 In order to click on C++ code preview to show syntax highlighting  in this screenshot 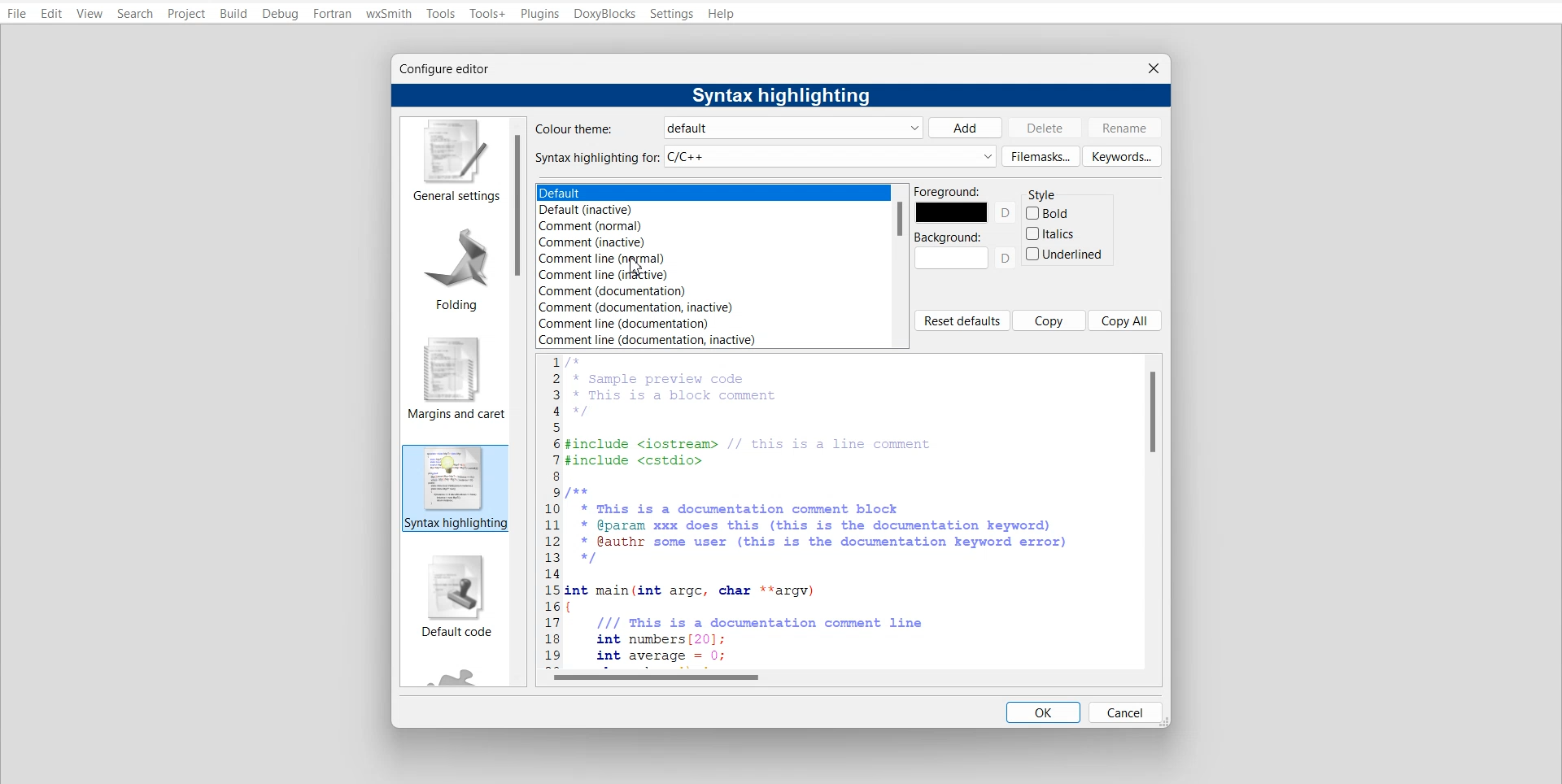, I will do `click(836, 511)`.